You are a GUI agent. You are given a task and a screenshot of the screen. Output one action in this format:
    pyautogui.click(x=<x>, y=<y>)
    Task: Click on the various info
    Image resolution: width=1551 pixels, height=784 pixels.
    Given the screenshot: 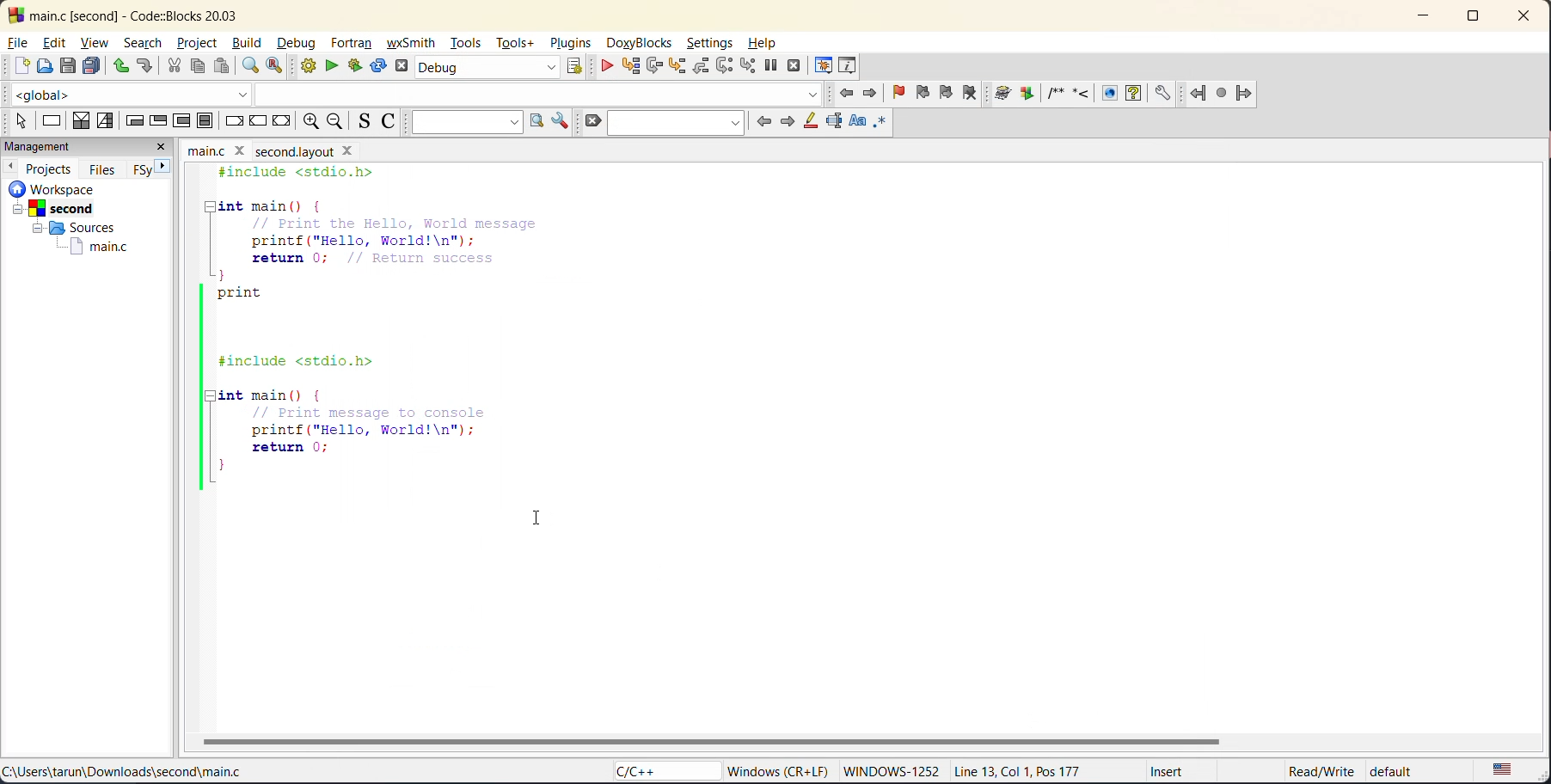 What is the action you would take?
    pyautogui.click(x=848, y=64)
    